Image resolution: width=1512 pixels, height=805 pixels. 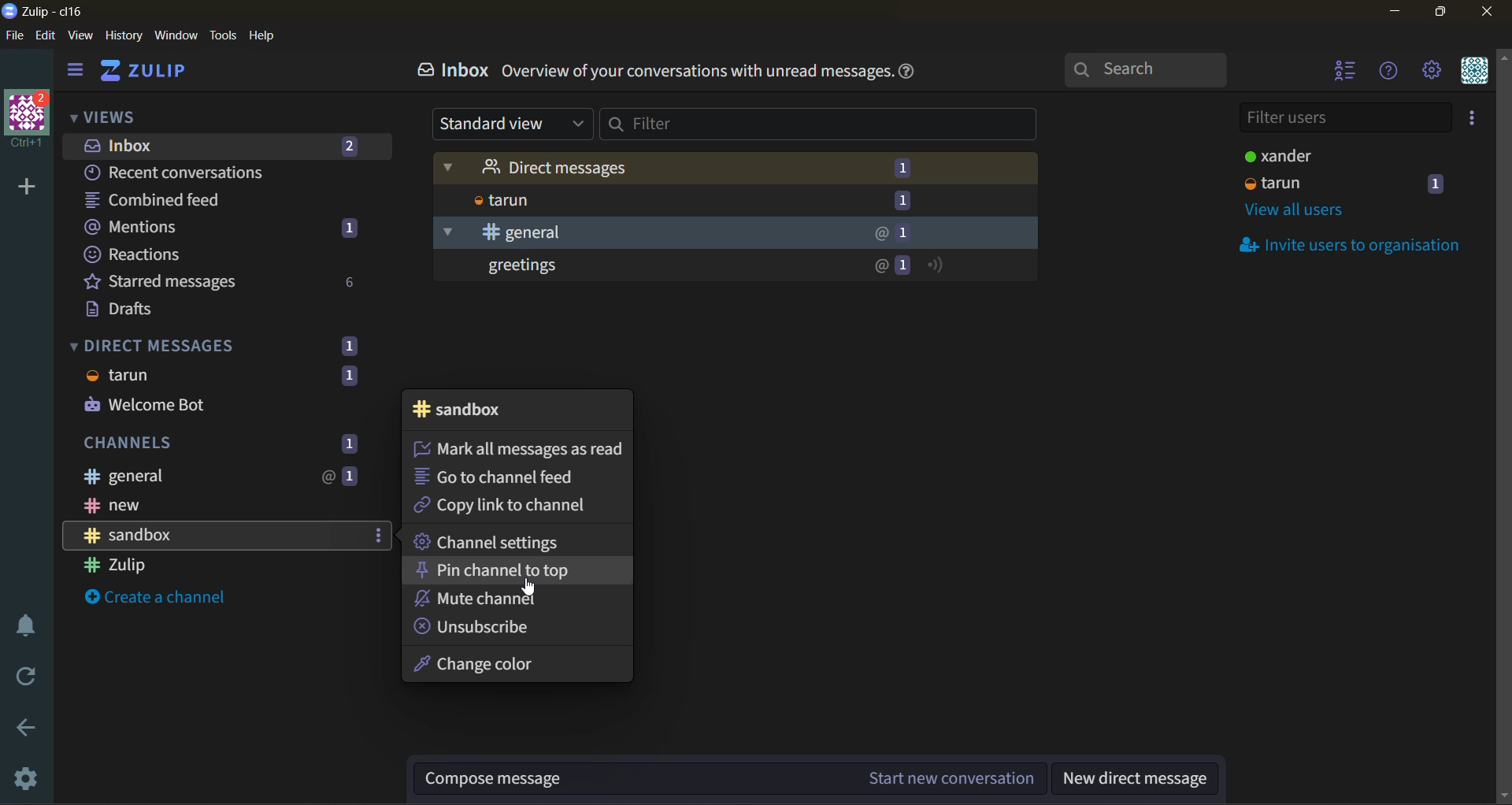 I want to click on filter, so click(x=818, y=128).